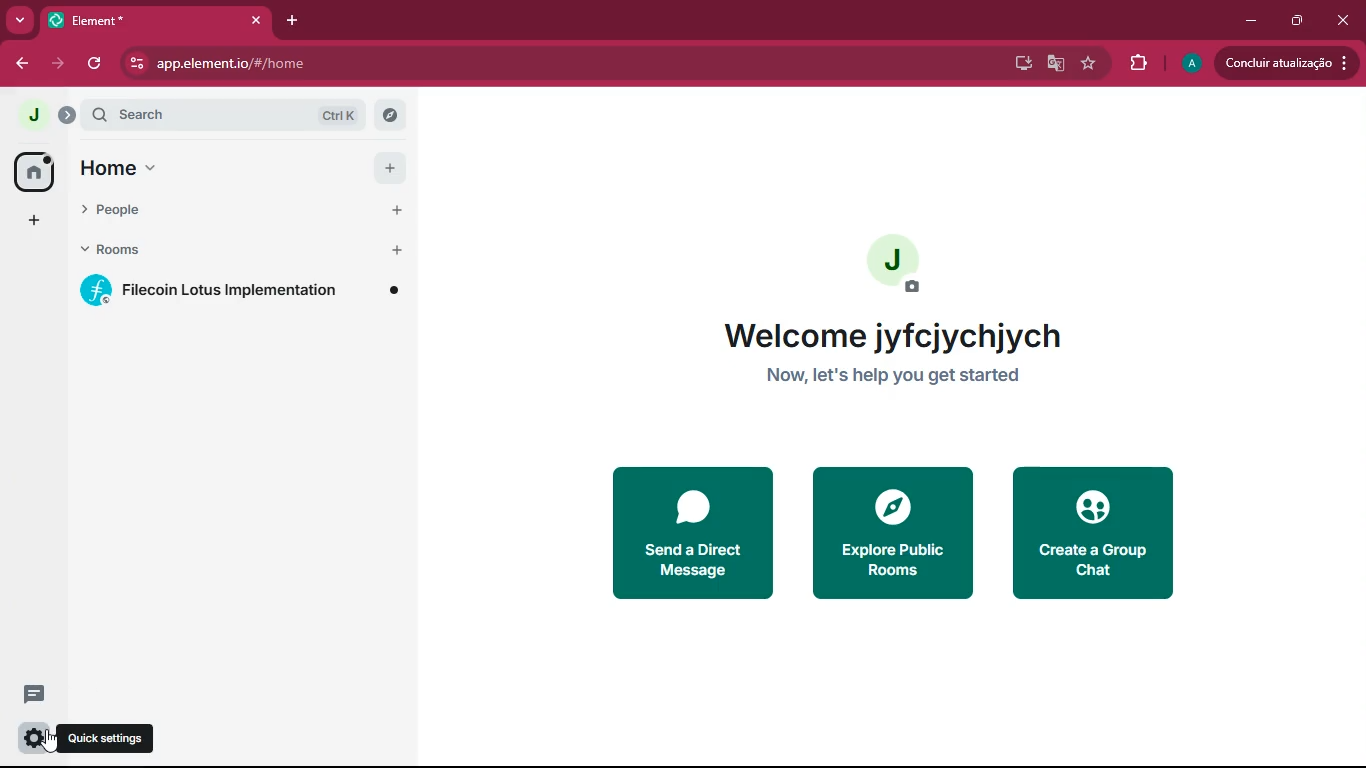 The image size is (1366, 768). Describe the element at coordinates (1190, 64) in the screenshot. I see `profile picture` at that location.